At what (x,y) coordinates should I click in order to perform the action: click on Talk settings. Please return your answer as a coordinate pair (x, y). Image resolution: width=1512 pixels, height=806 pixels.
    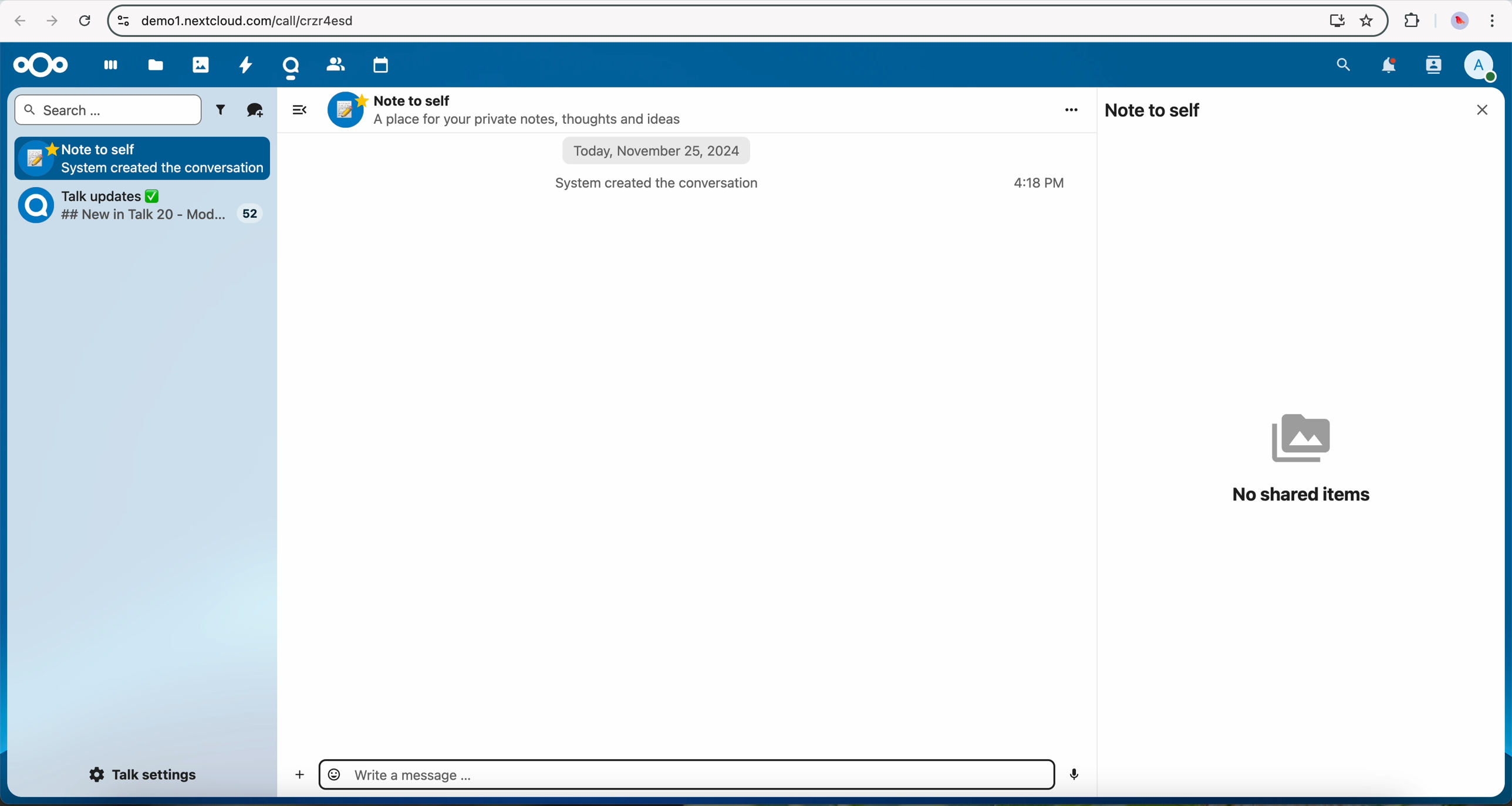
    Looking at the image, I should click on (146, 775).